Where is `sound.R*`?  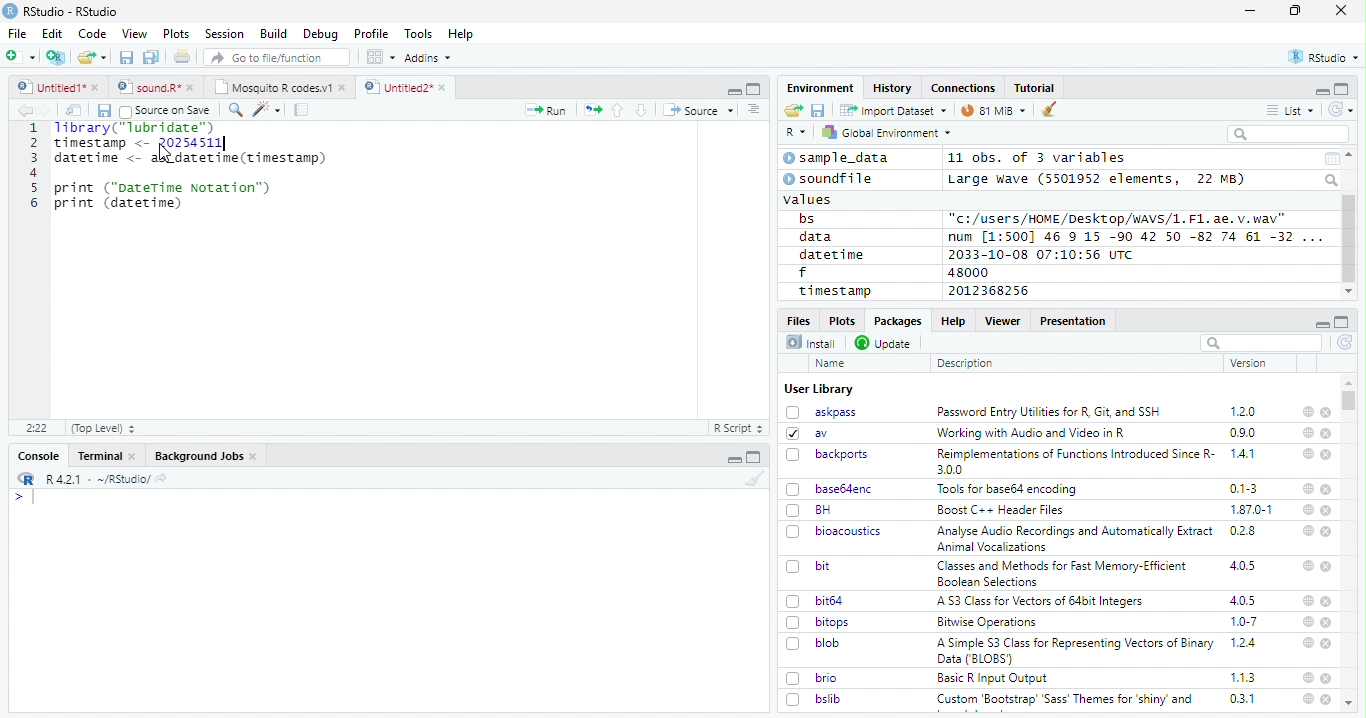 sound.R* is located at coordinates (156, 88).